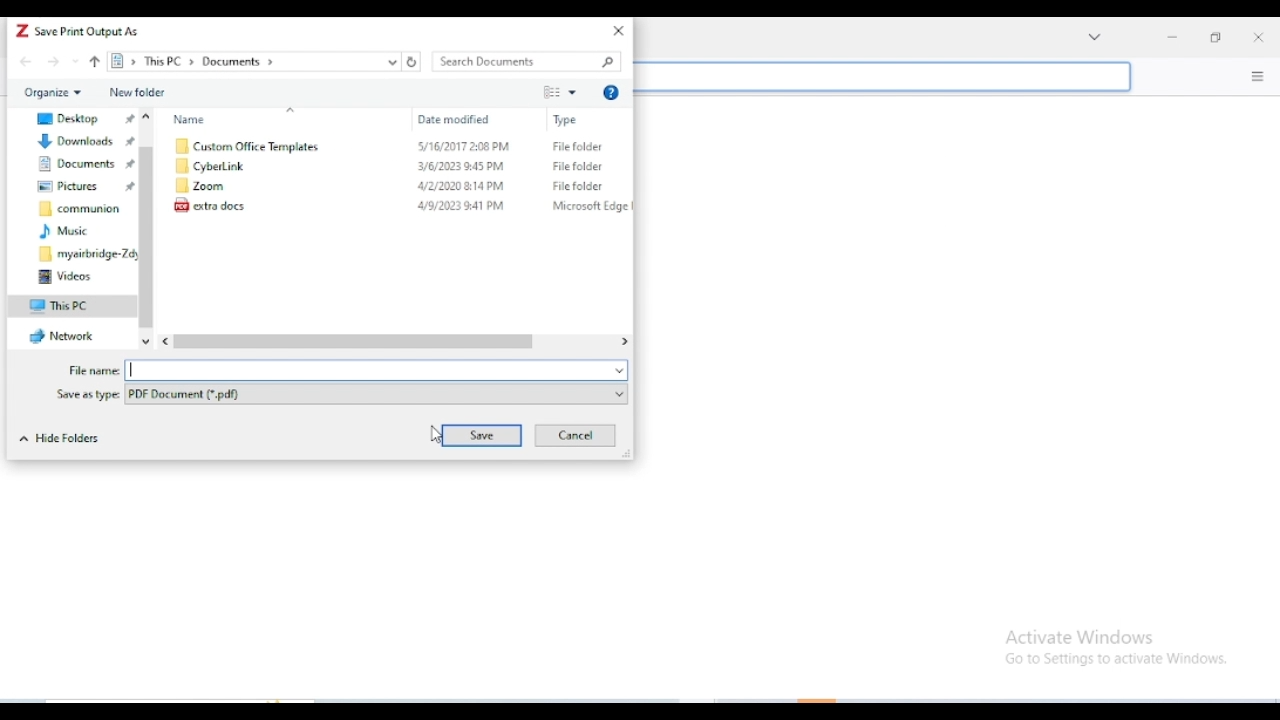 The image size is (1280, 720). Describe the element at coordinates (577, 187) in the screenshot. I see `File folder` at that location.